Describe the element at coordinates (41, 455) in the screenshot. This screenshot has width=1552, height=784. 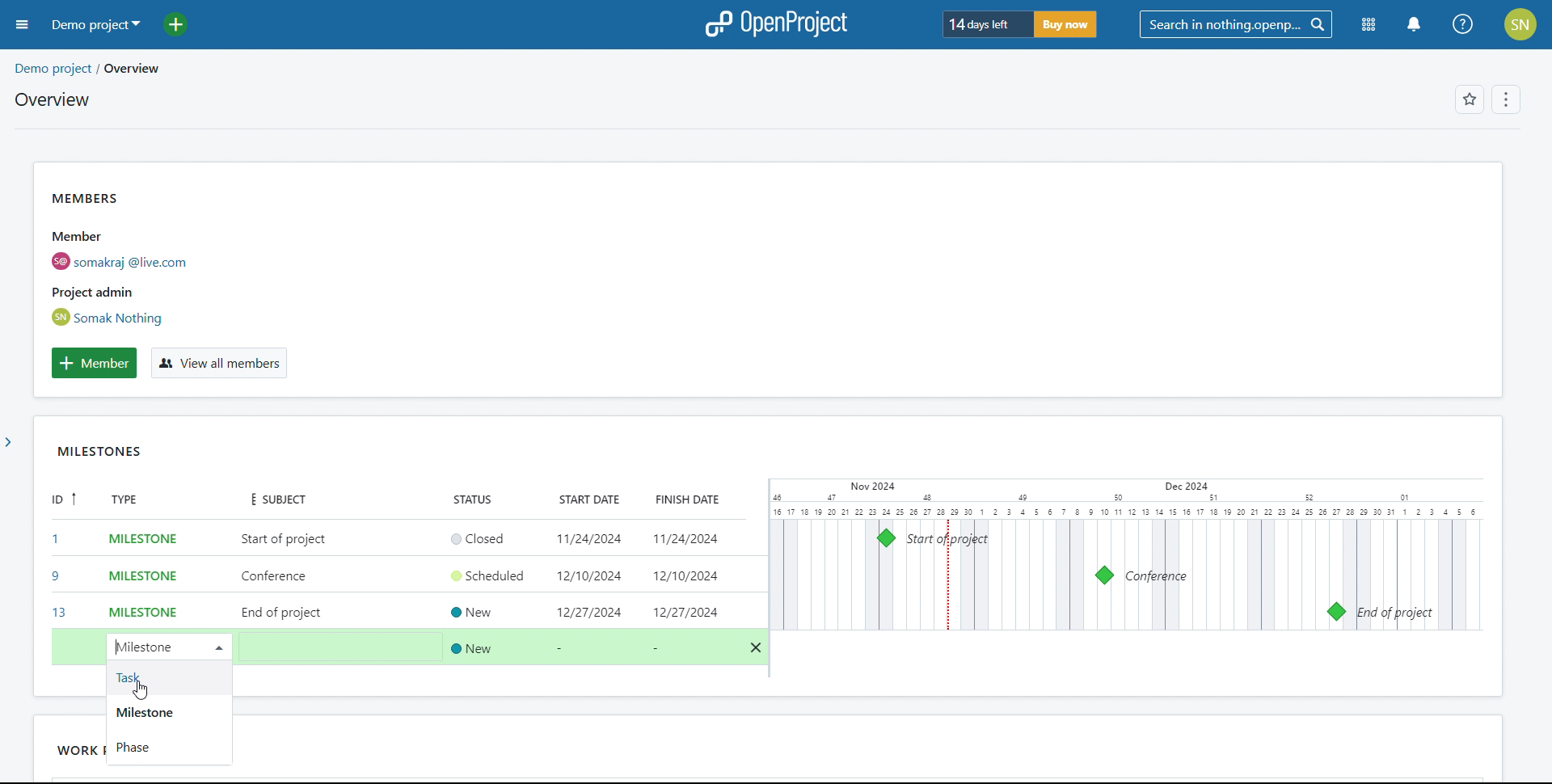
I see `move widget` at that location.